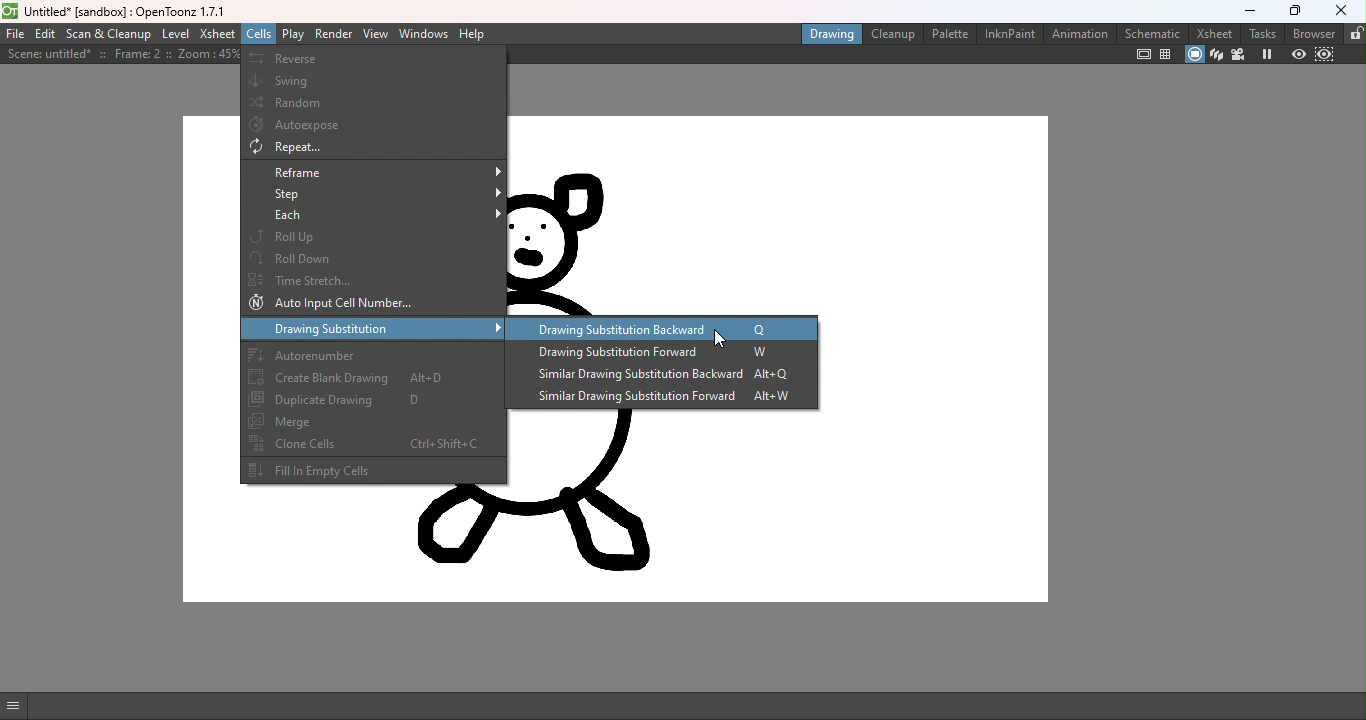 This screenshot has width=1366, height=720. I want to click on Scan & Cleanup, so click(110, 35).